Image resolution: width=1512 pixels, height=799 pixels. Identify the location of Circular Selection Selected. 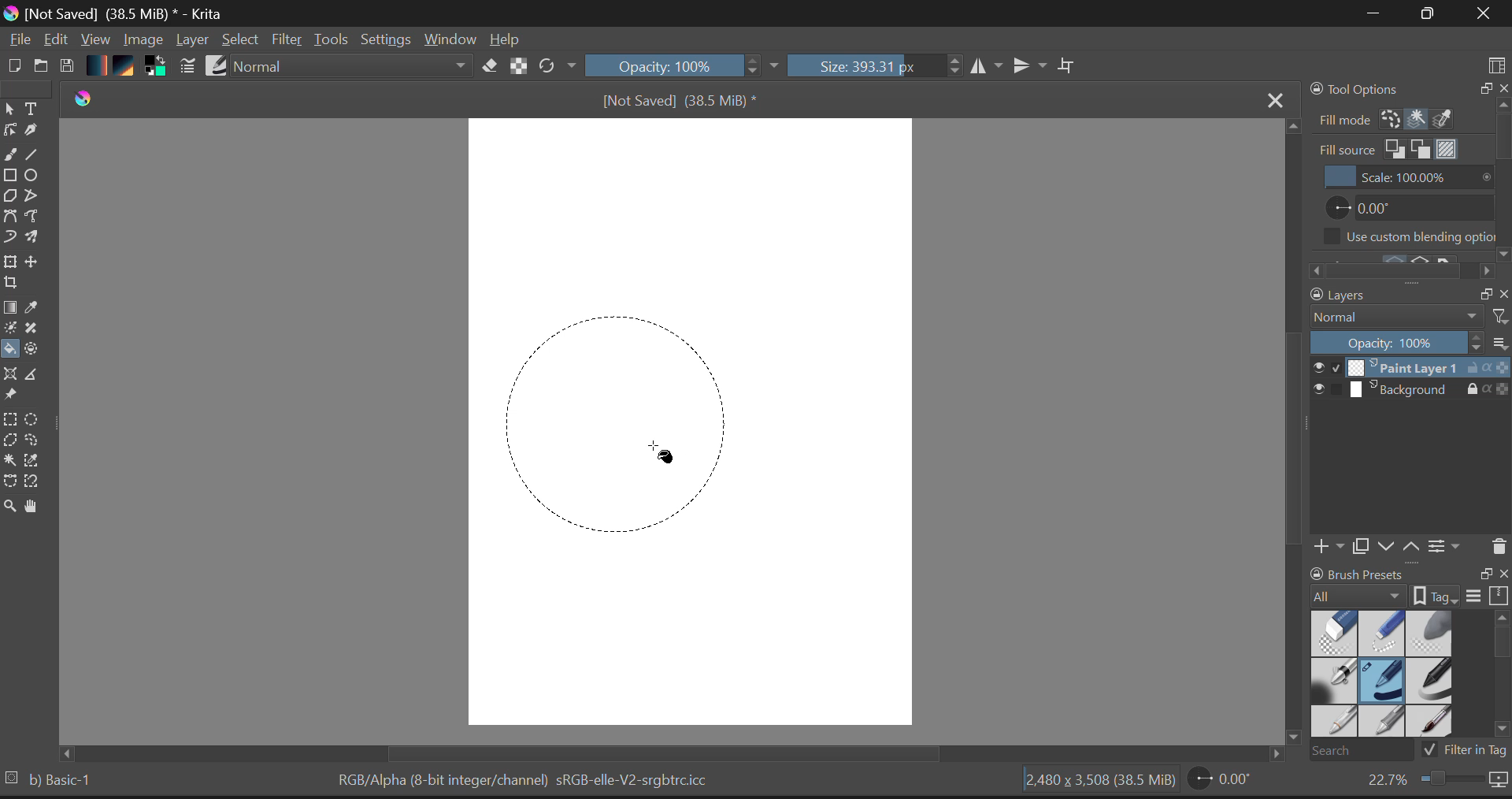
(34, 416).